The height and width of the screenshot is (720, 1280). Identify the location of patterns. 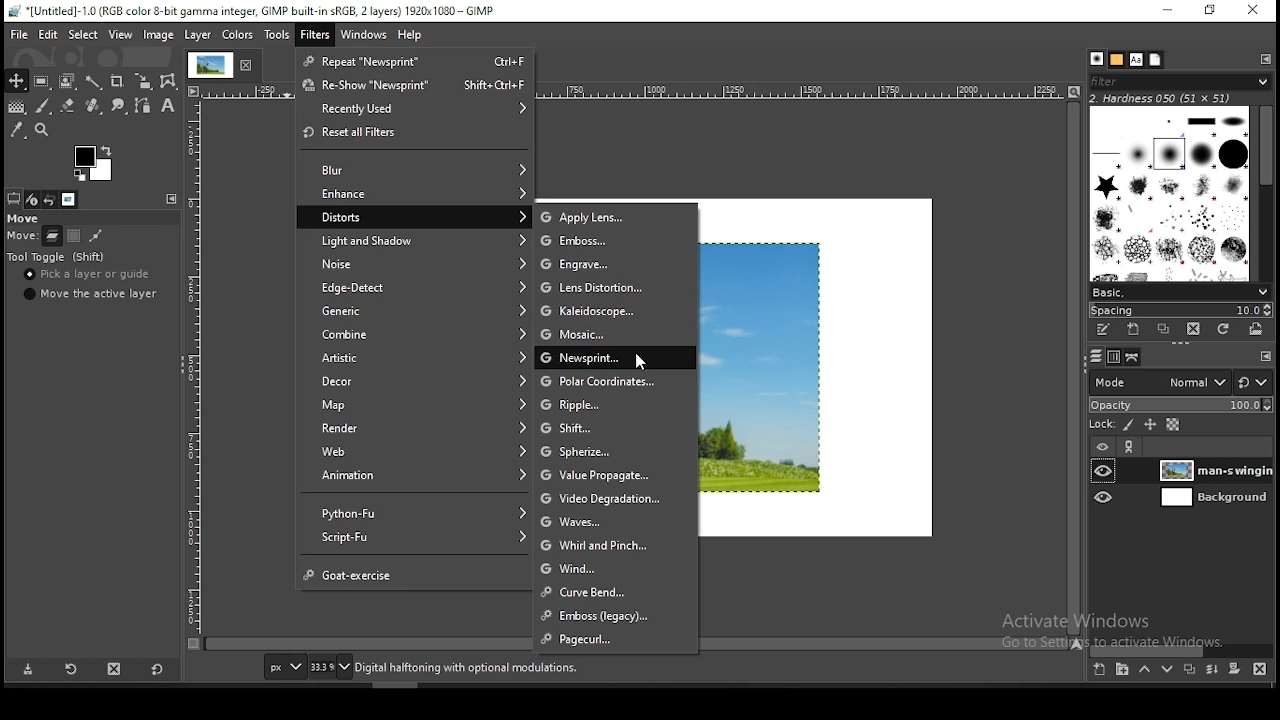
(1117, 59).